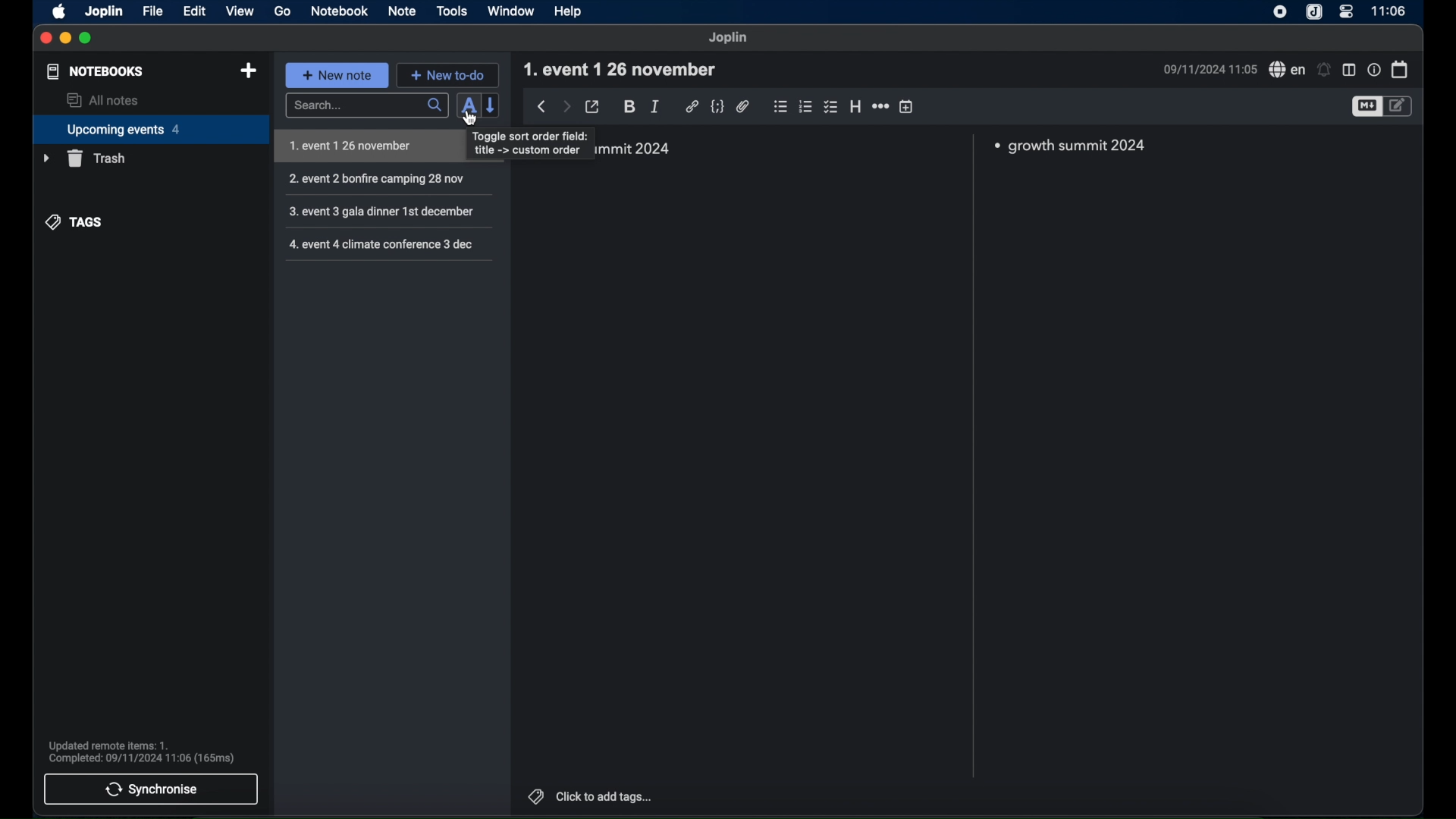  Describe the element at coordinates (64, 38) in the screenshot. I see `minimize` at that location.